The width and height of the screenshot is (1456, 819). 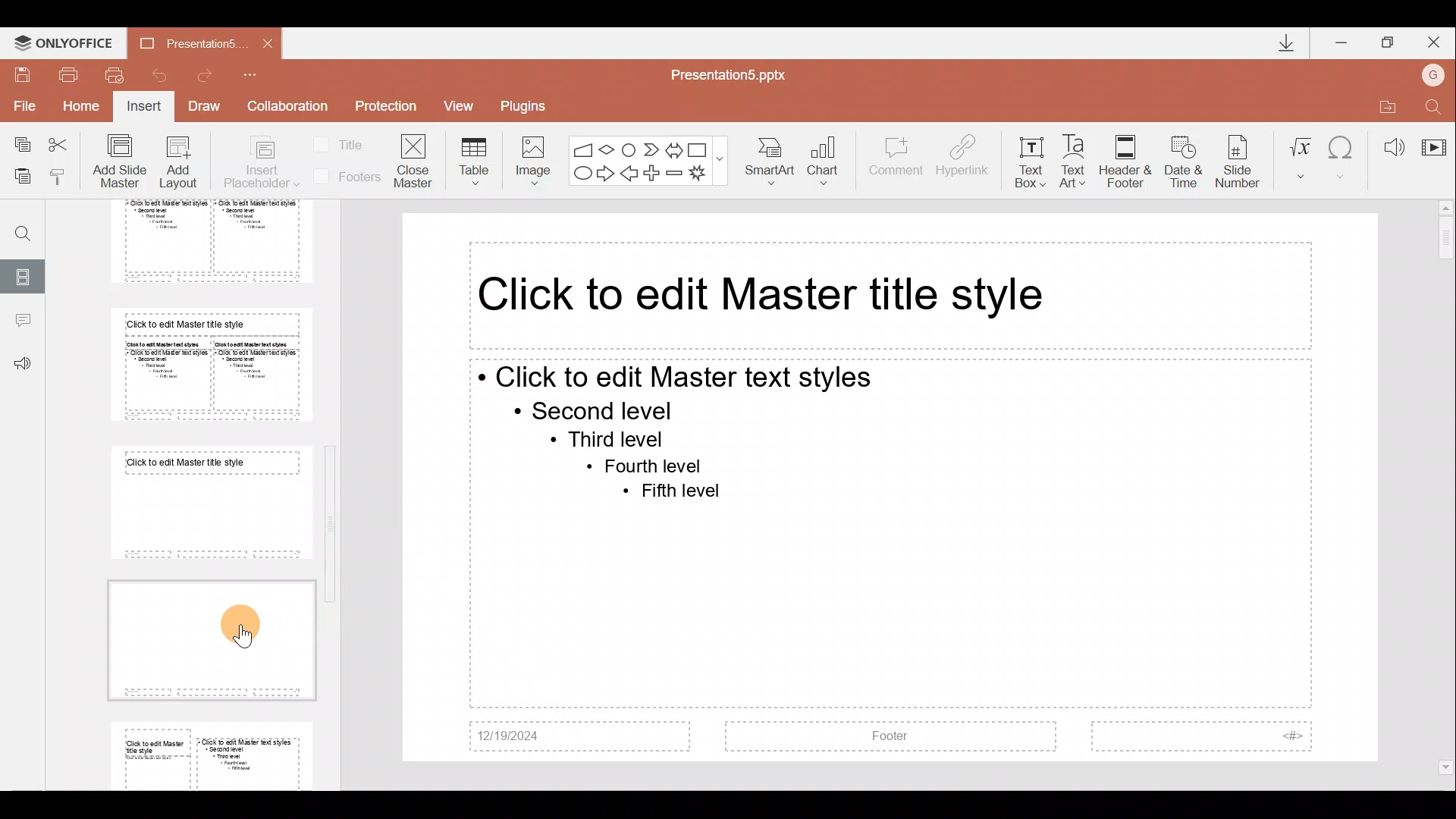 What do you see at coordinates (1180, 158) in the screenshot?
I see `Date & time` at bounding box center [1180, 158].